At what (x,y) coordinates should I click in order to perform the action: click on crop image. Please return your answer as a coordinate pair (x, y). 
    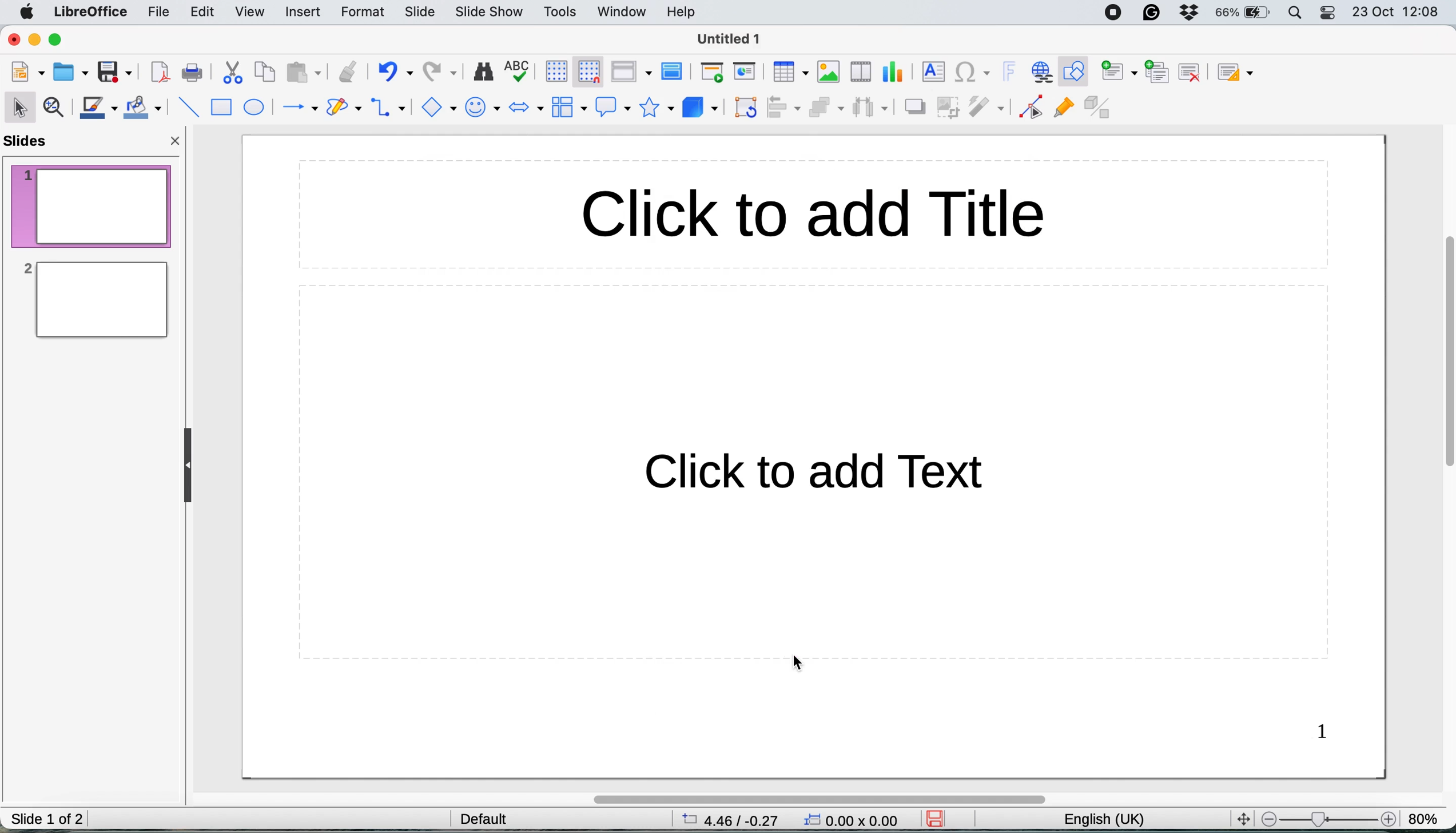
    Looking at the image, I should click on (950, 106).